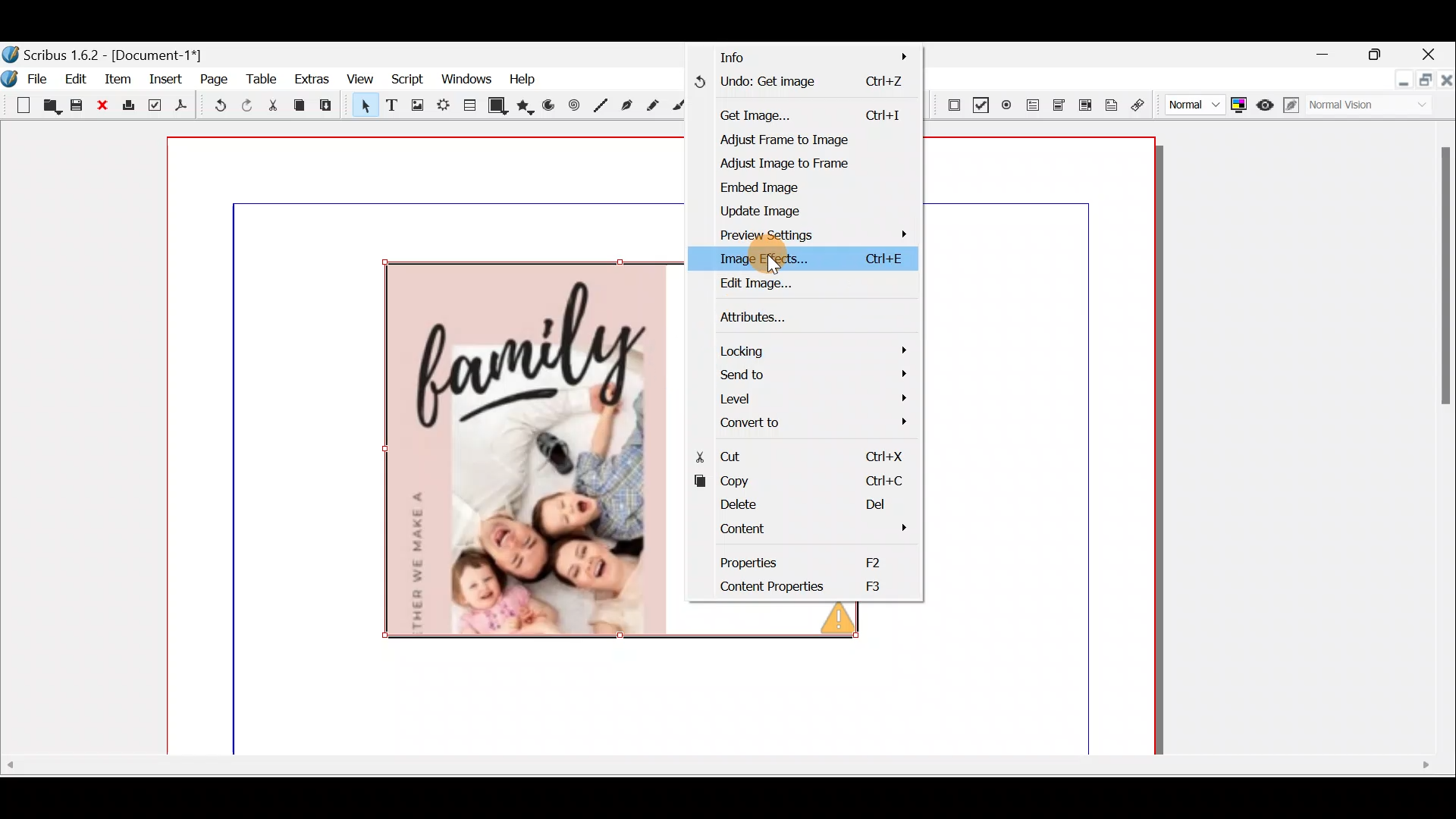 The image size is (1456, 819). I want to click on Copy, so click(802, 483).